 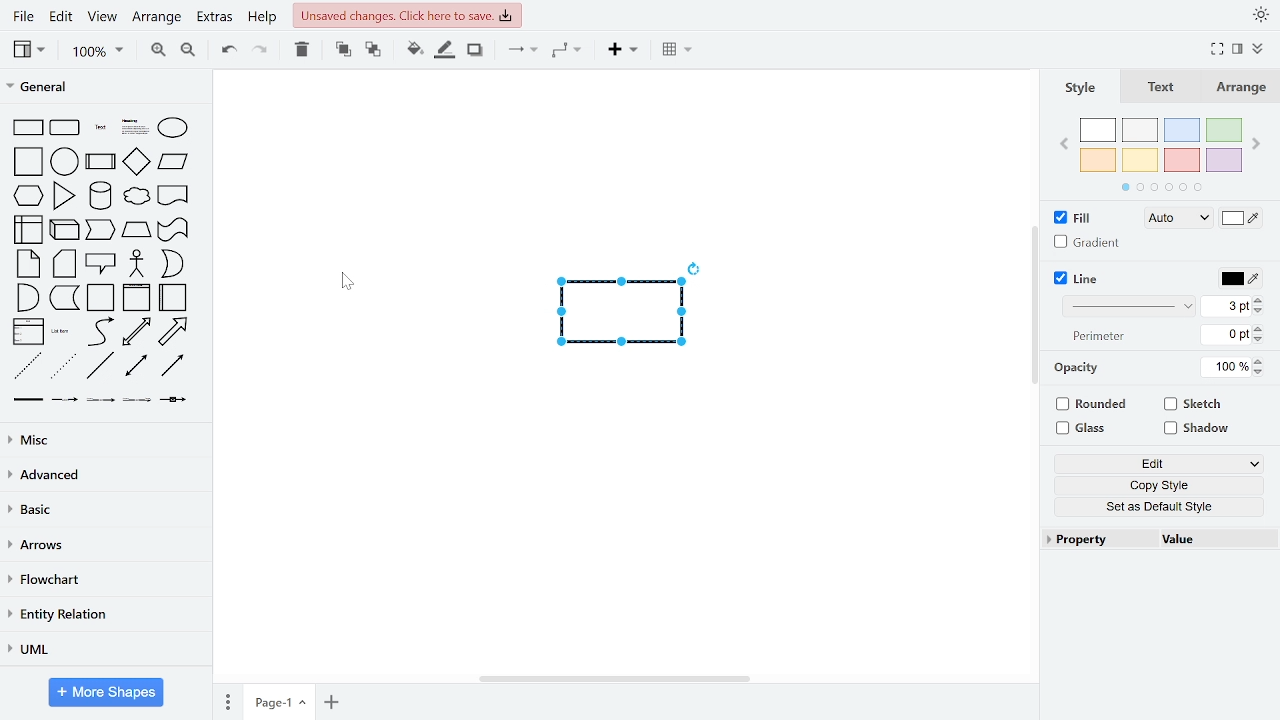 I want to click on general shapes, so click(x=63, y=264).